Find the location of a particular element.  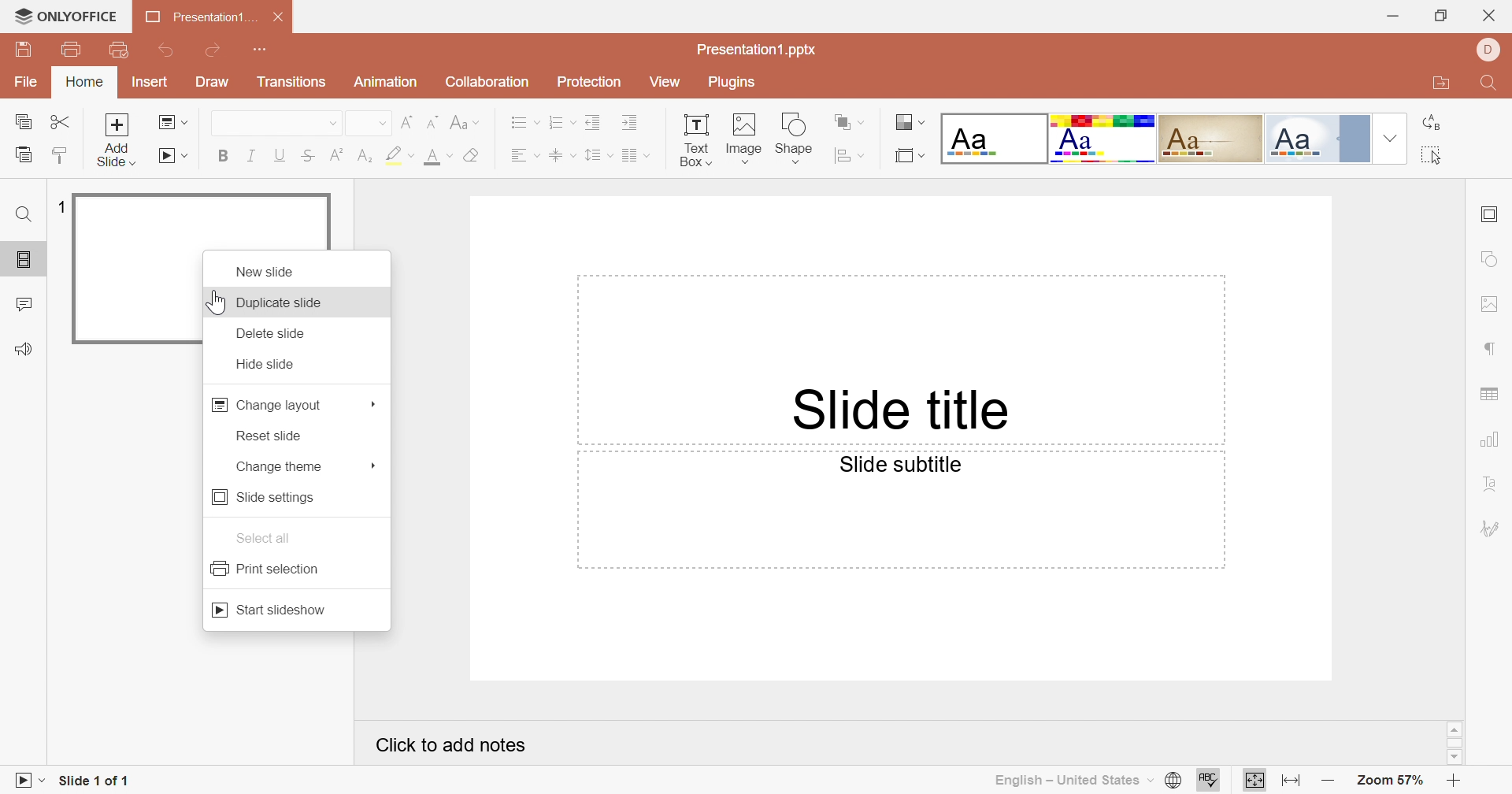

Align Left is located at coordinates (526, 151).